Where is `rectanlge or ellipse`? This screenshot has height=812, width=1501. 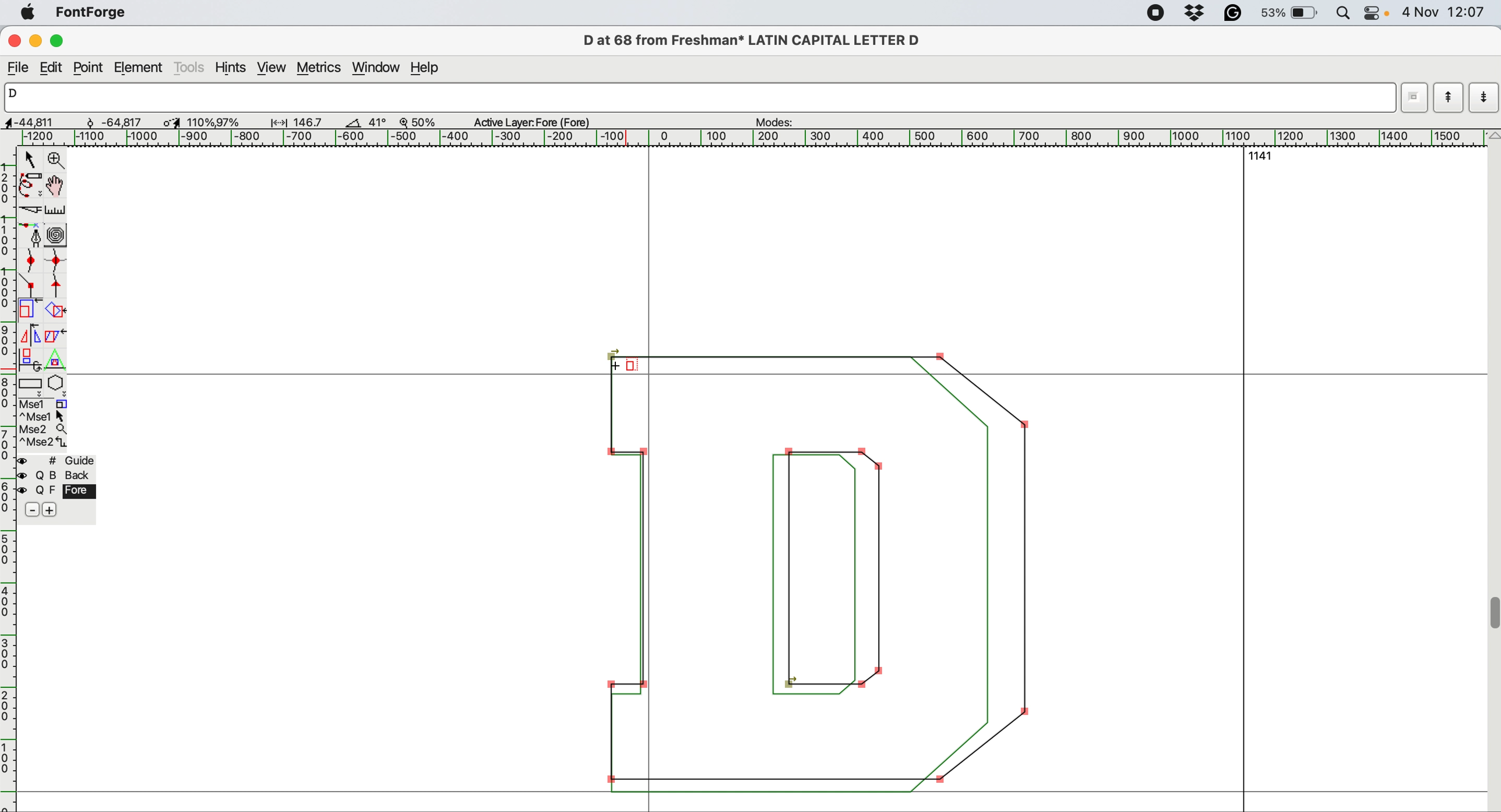 rectanlge or ellipse is located at coordinates (31, 385).